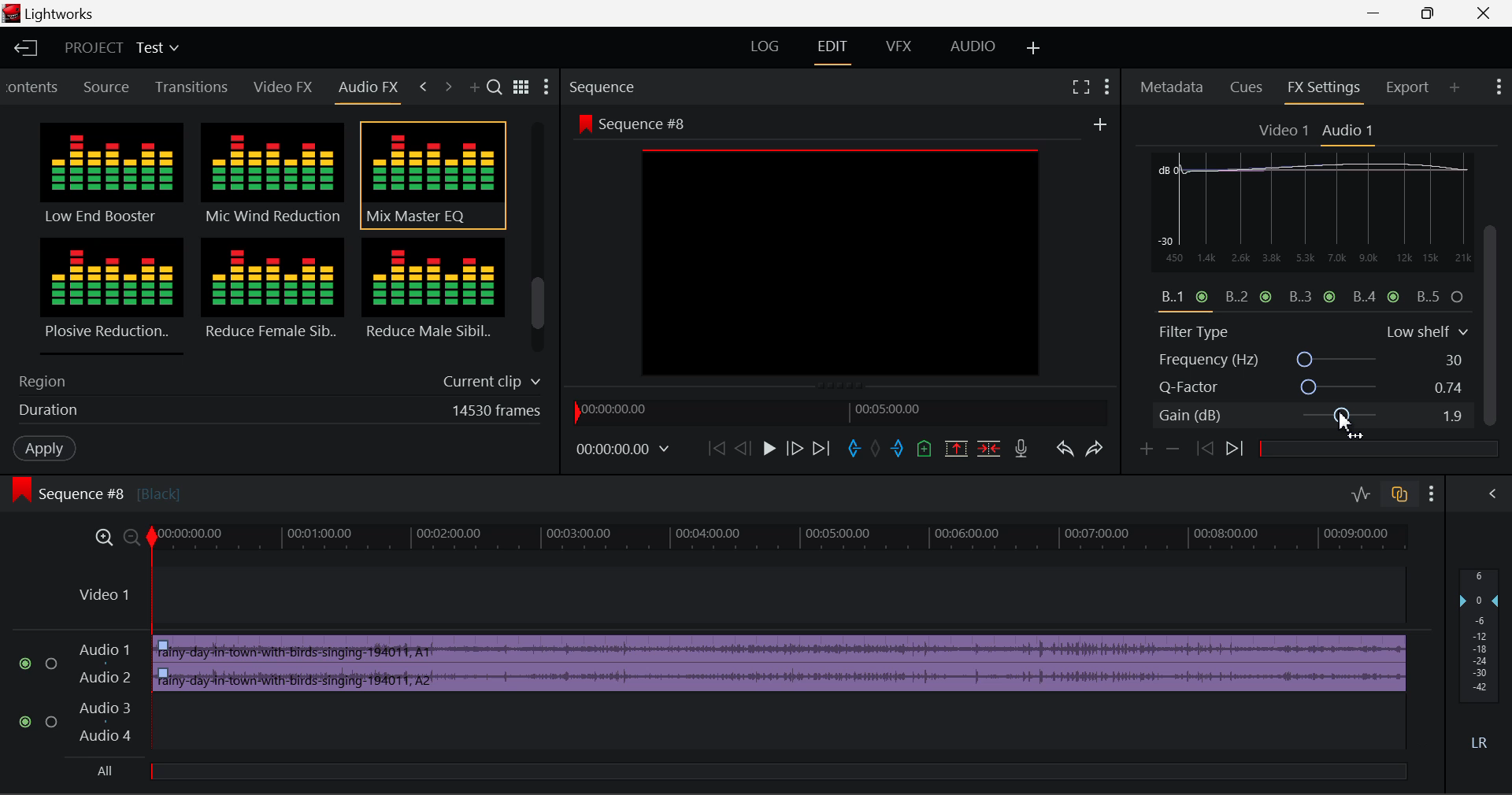 Image resolution: width=1512 pixels, height=795 pixels. I want to click on Video FX, so click(279, 88).